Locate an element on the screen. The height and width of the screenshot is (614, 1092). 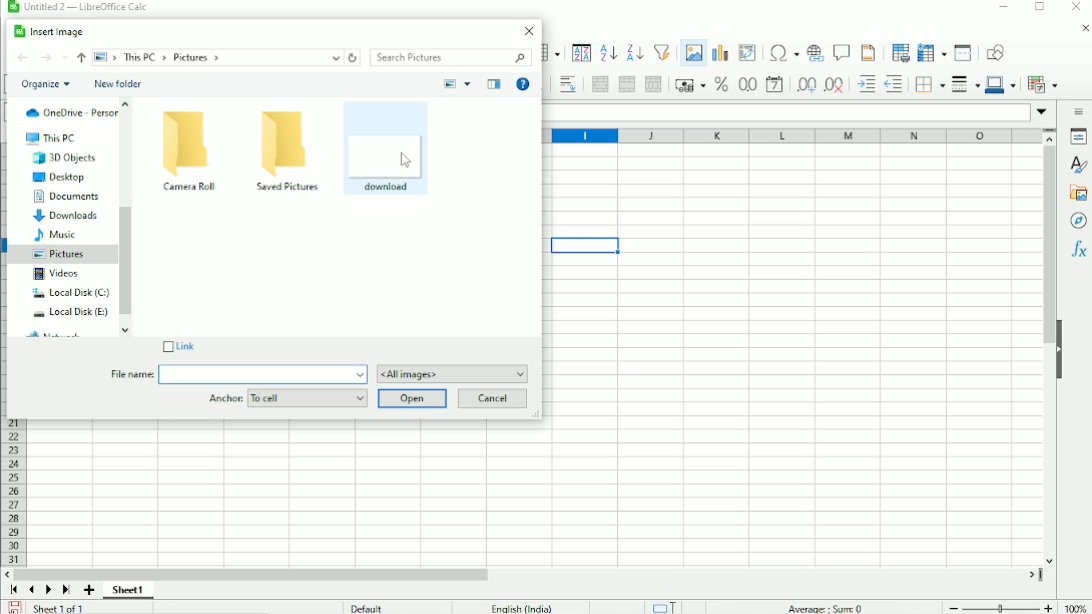
Local Disk (E:) is located at coordinates (70, 310).